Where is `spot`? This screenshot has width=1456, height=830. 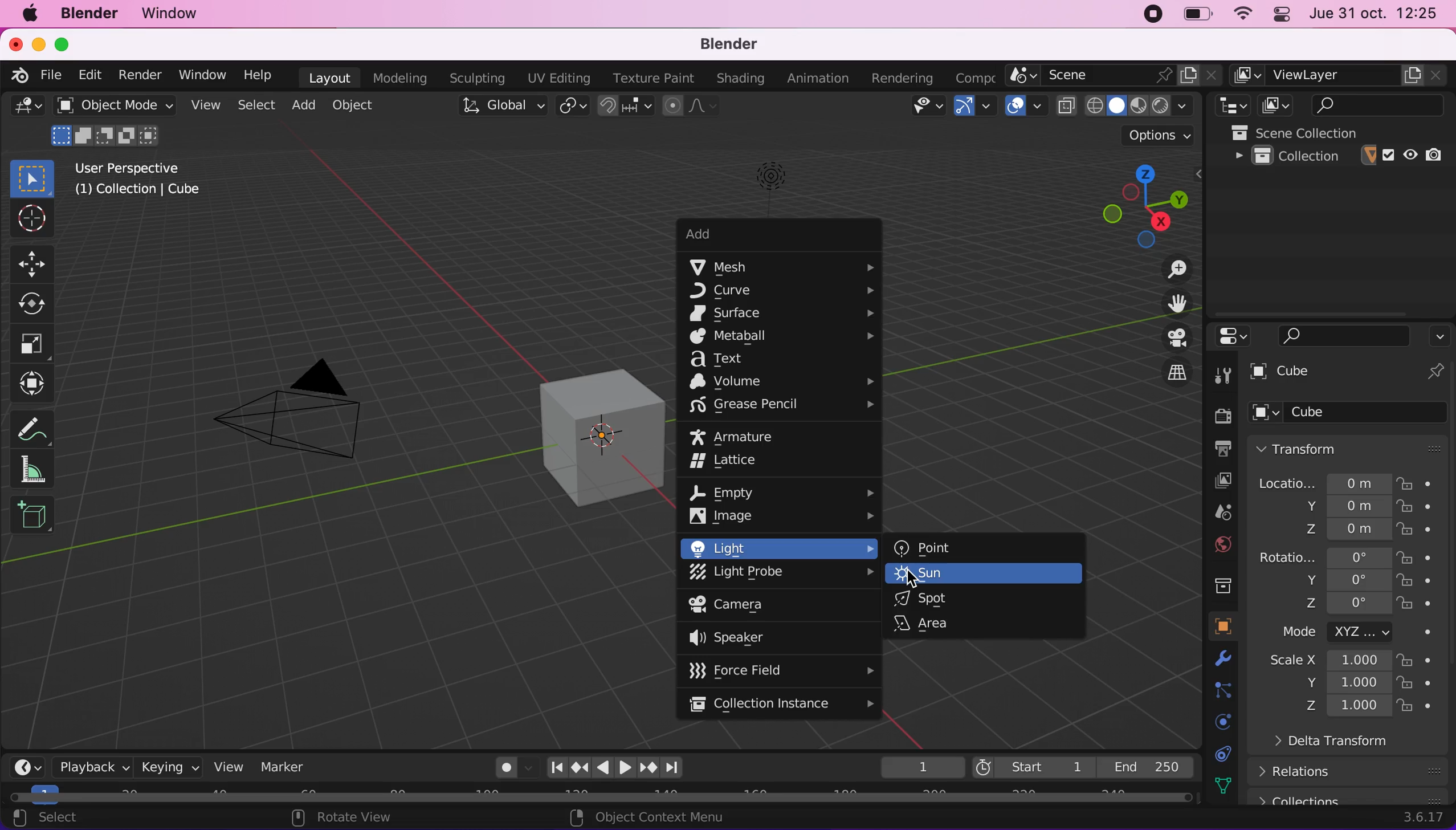
spot is located at coordinates (928, 599).